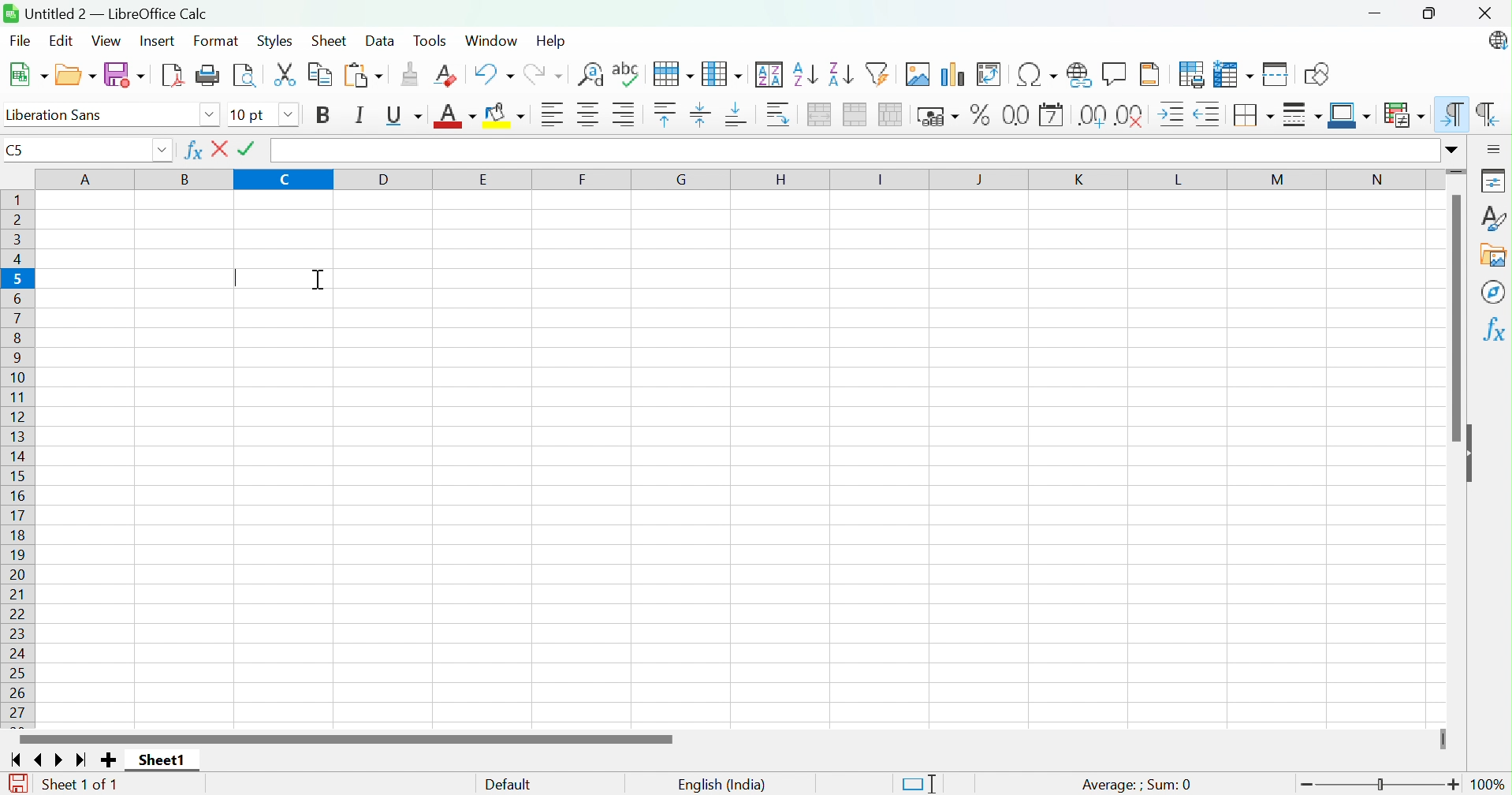 Image resolution: width=1512 pixels, height=795 pixels. I want to click on Close, so click(222, 149).